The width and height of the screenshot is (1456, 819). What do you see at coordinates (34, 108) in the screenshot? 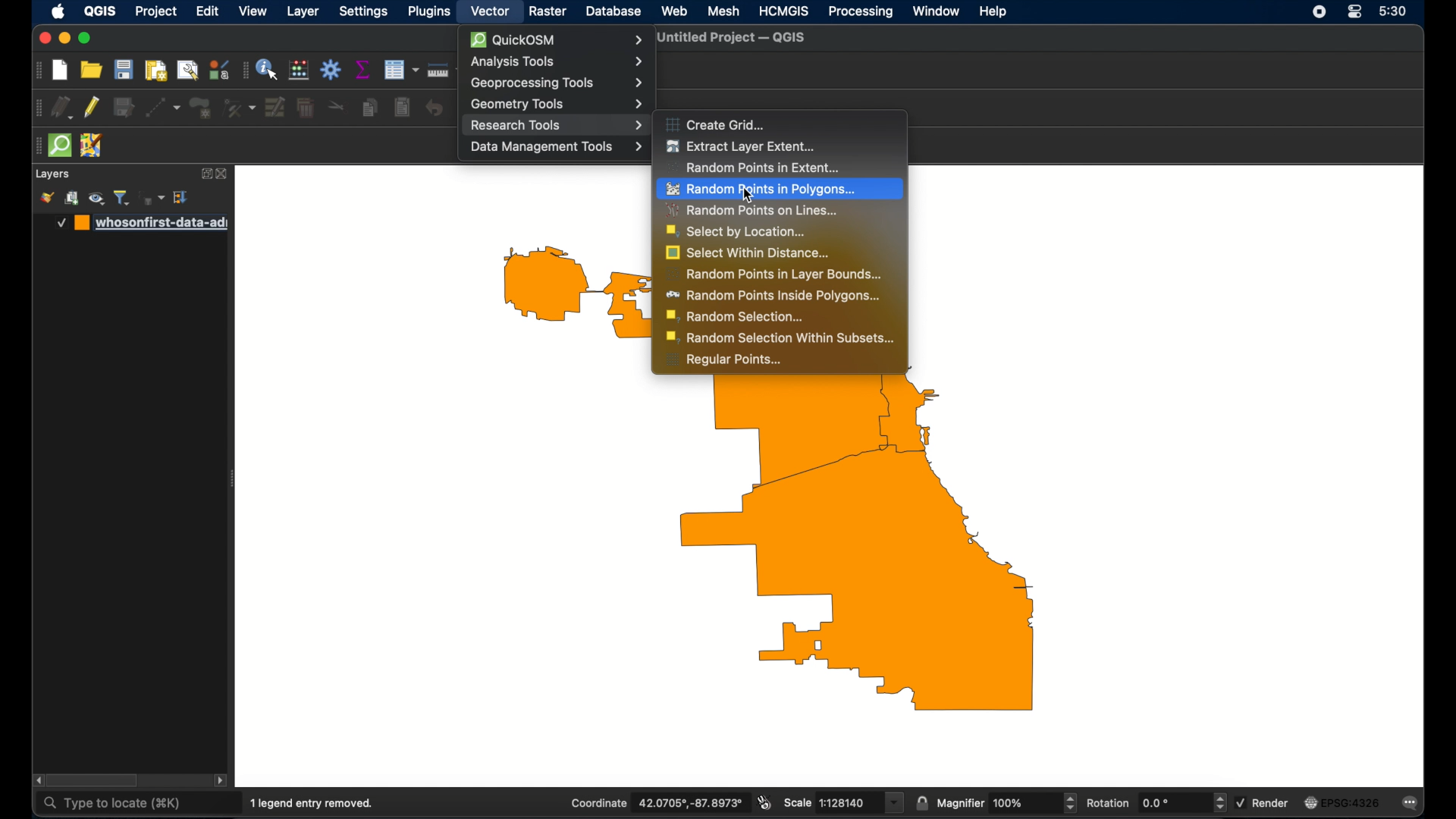
I see `drag handle` at bounding box center [34, 108].